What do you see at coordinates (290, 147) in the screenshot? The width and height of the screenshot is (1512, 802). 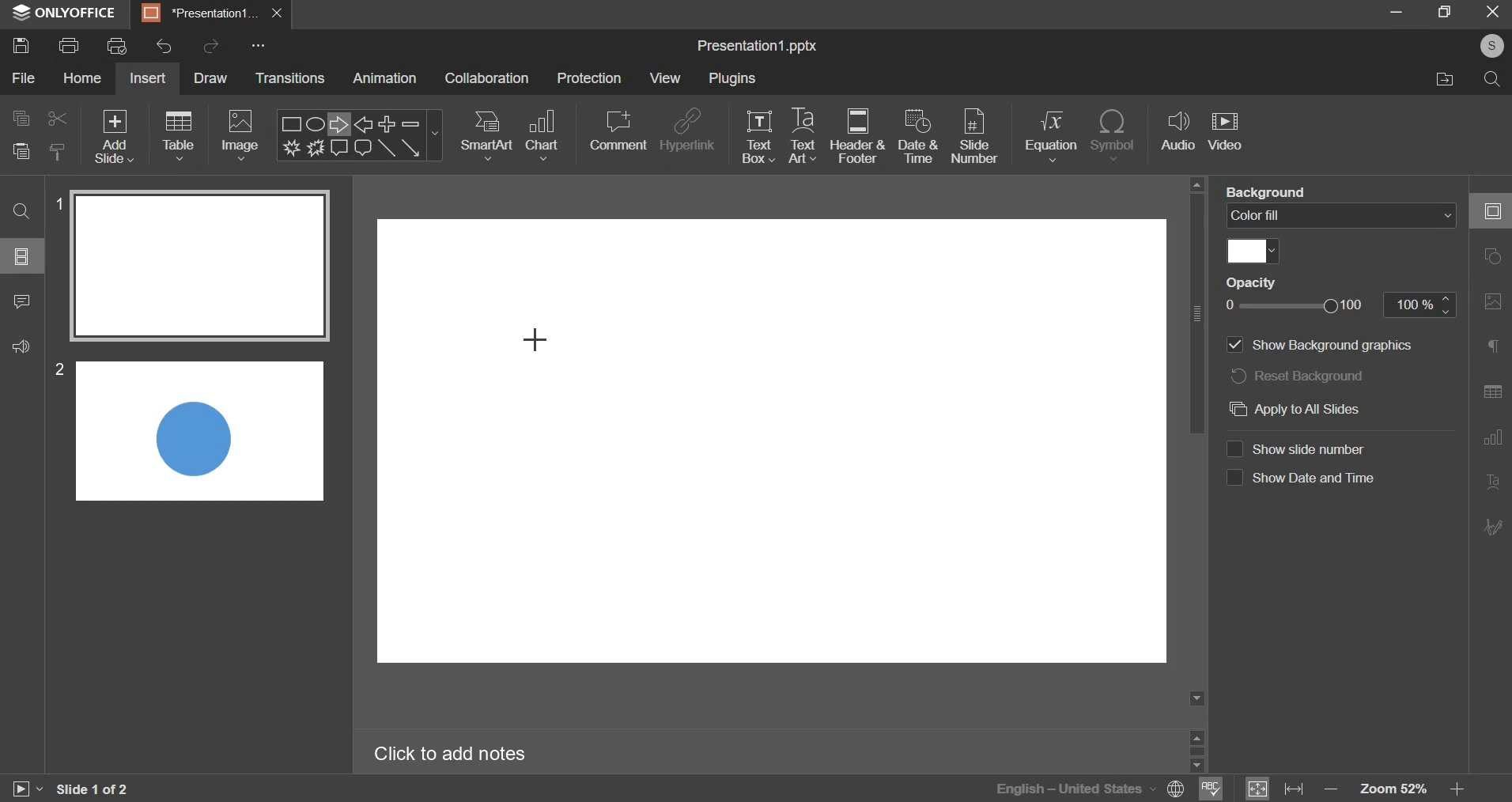 I see `Explosion 1` at bounding box center [290, 147].